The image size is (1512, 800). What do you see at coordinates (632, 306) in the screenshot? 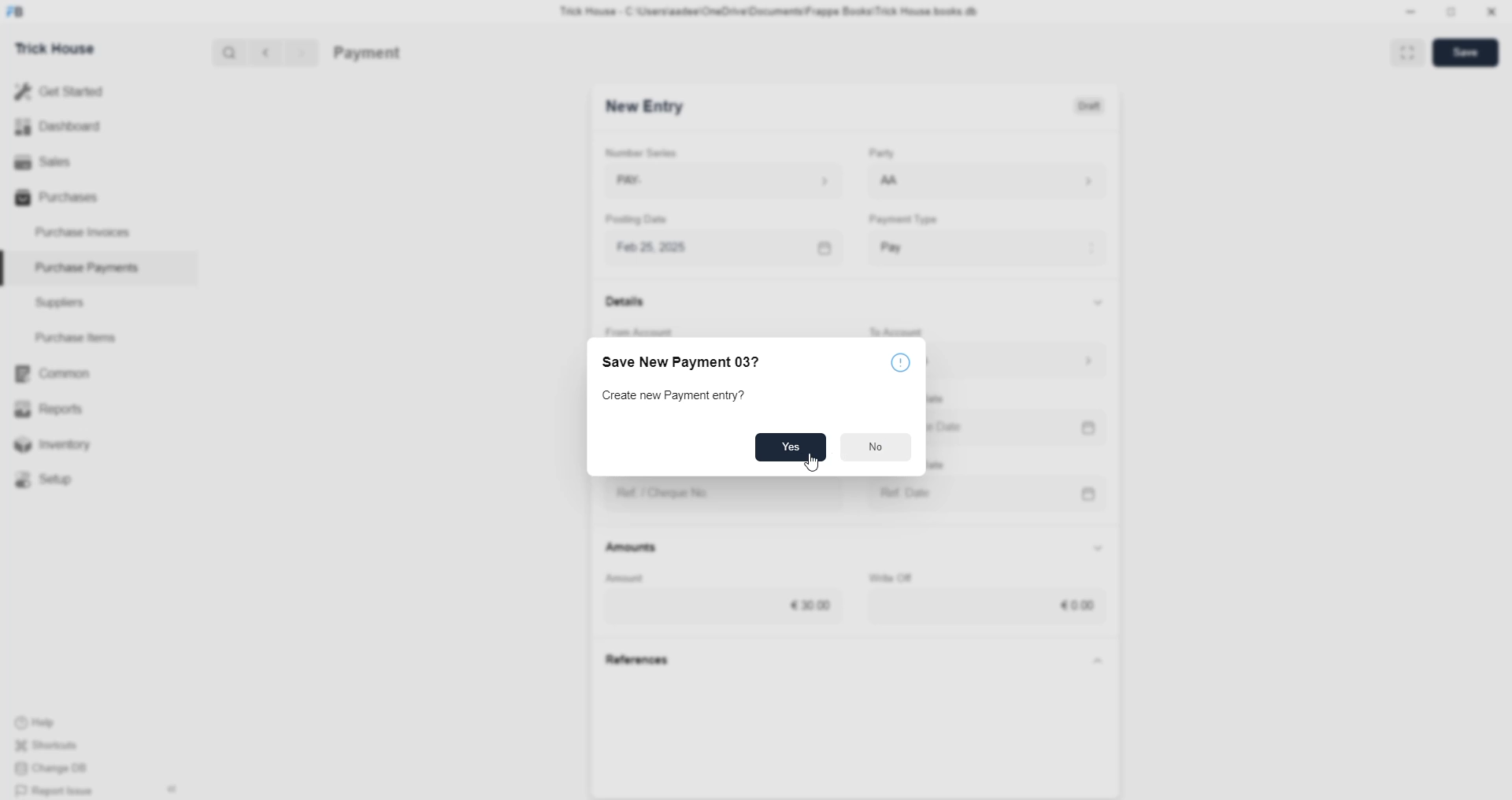
I see `Details` at bounding box center [632, 306].